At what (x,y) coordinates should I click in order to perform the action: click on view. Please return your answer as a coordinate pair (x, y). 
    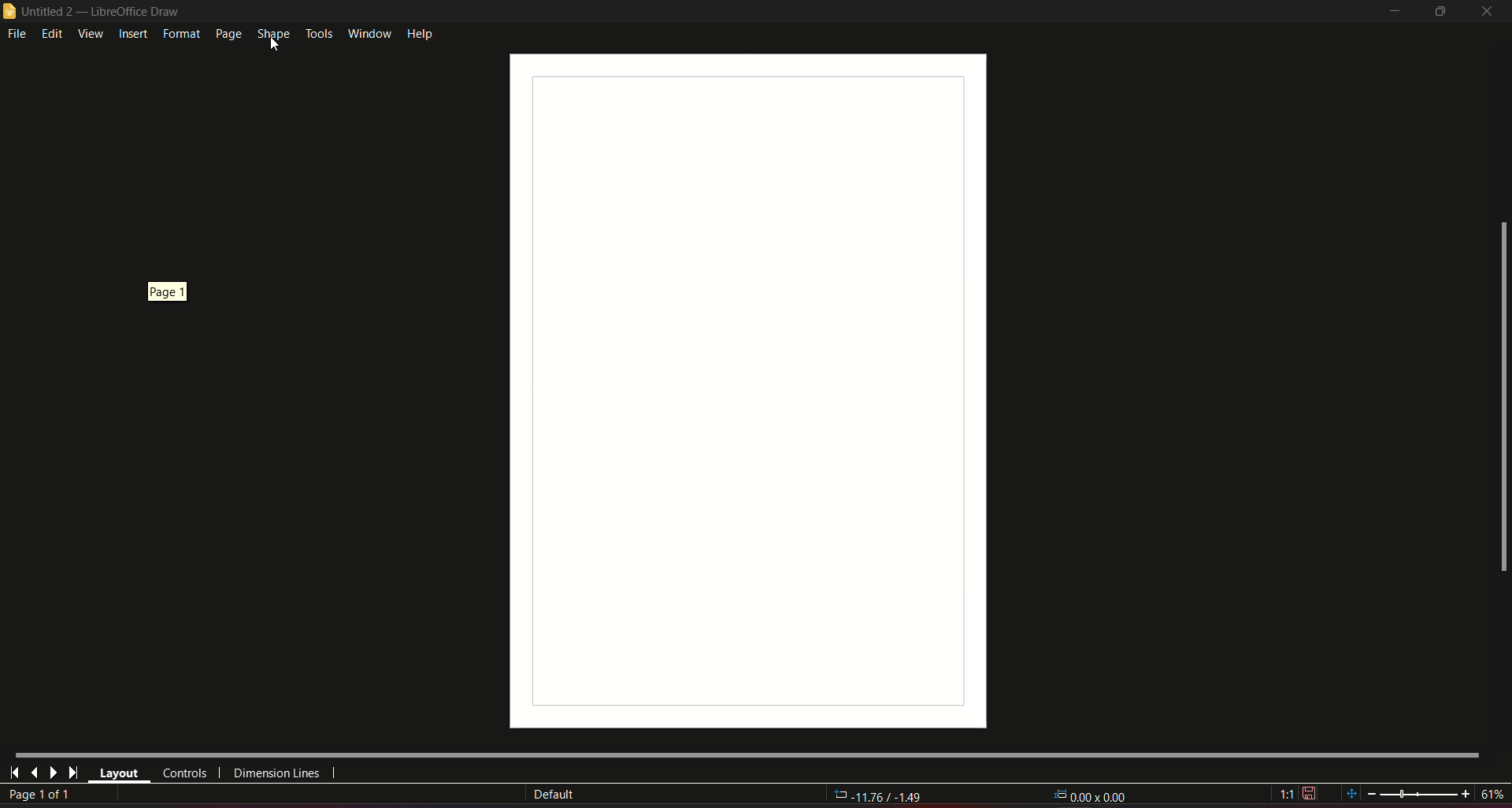
    Looking at the image, I should click on (90, 33).